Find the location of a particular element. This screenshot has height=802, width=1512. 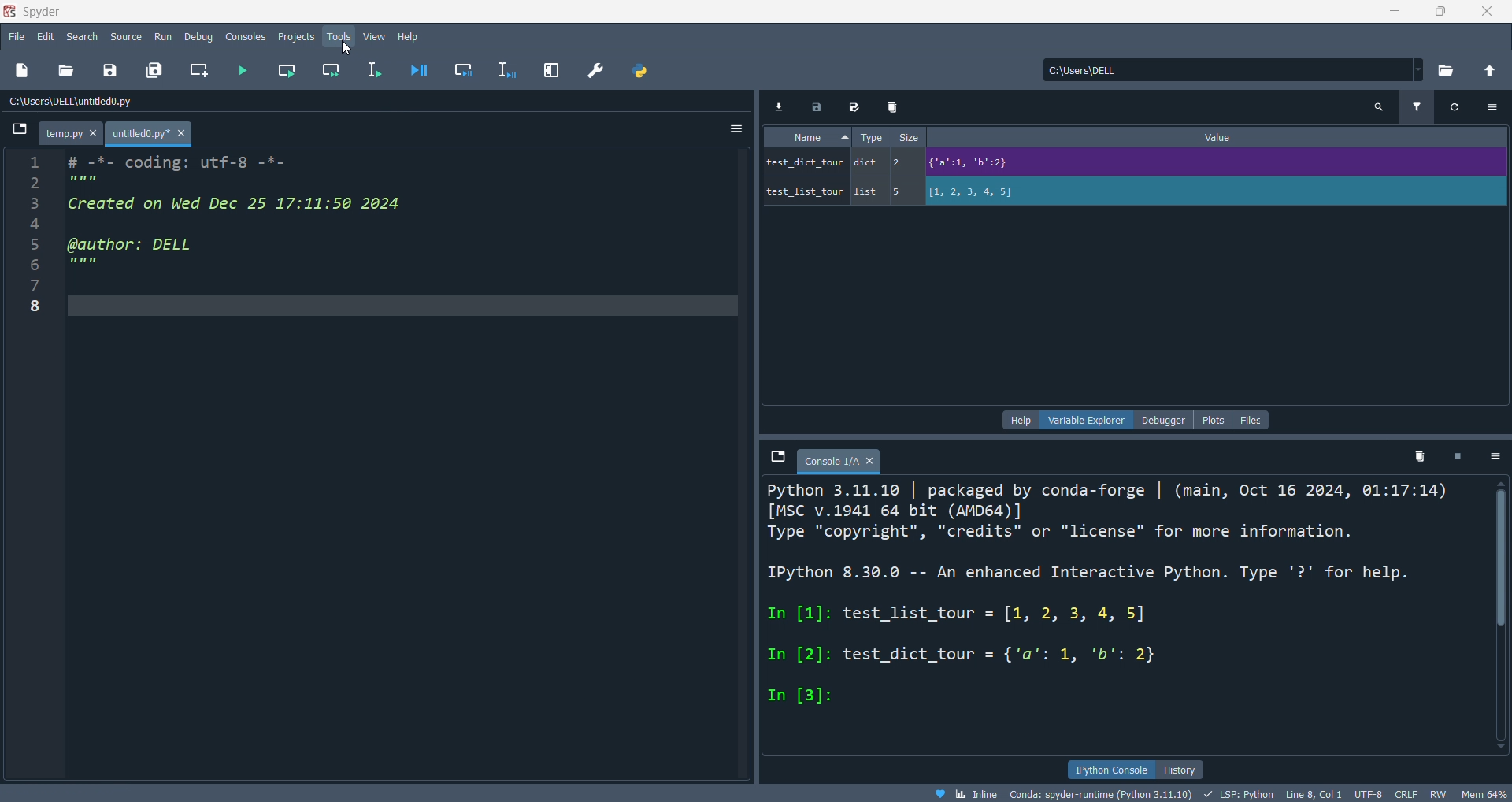

Ci\Users\DELL. is located at coordinates (1107, 69).